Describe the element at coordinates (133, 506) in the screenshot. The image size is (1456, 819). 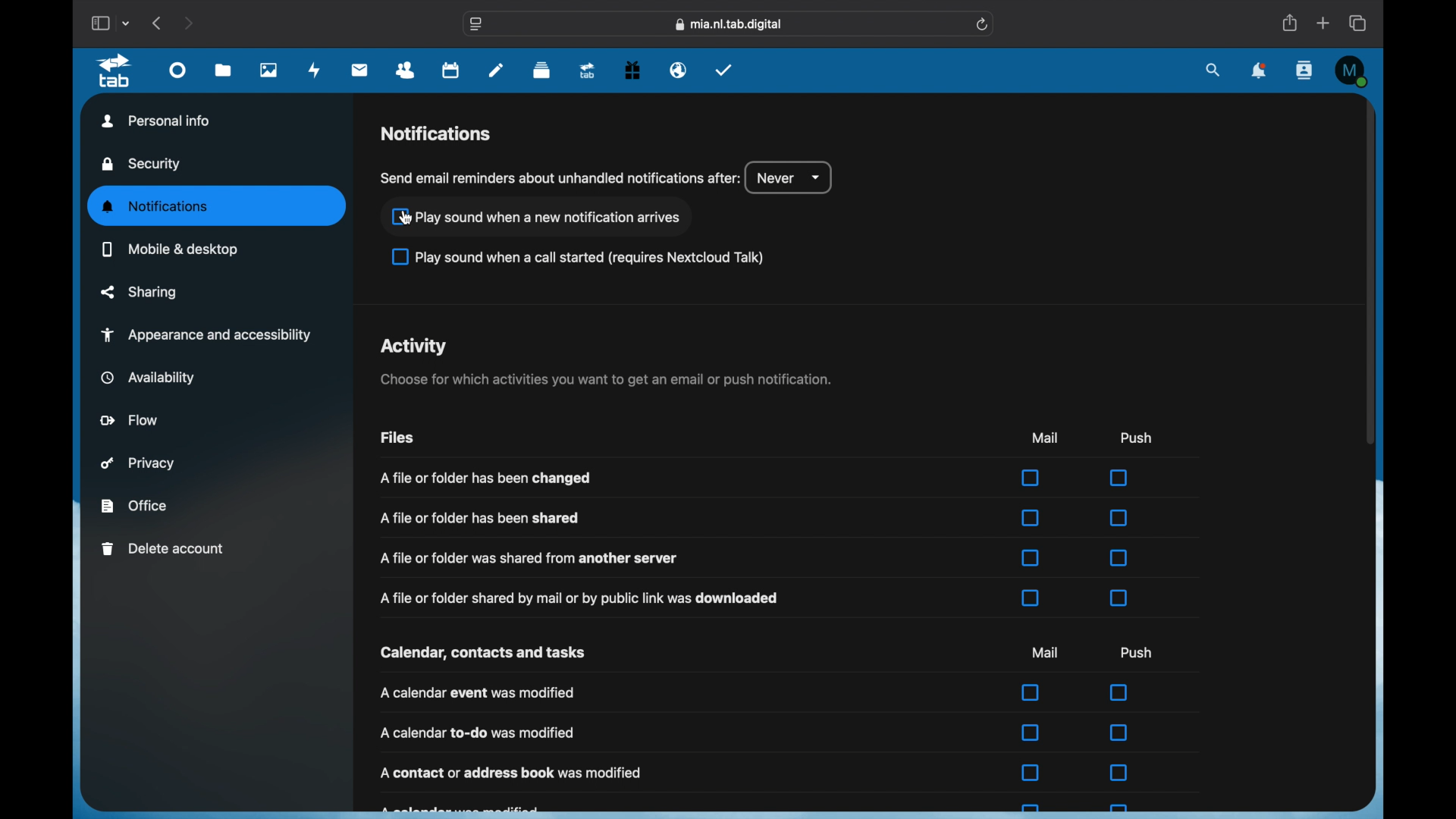
I see `office` at that location.